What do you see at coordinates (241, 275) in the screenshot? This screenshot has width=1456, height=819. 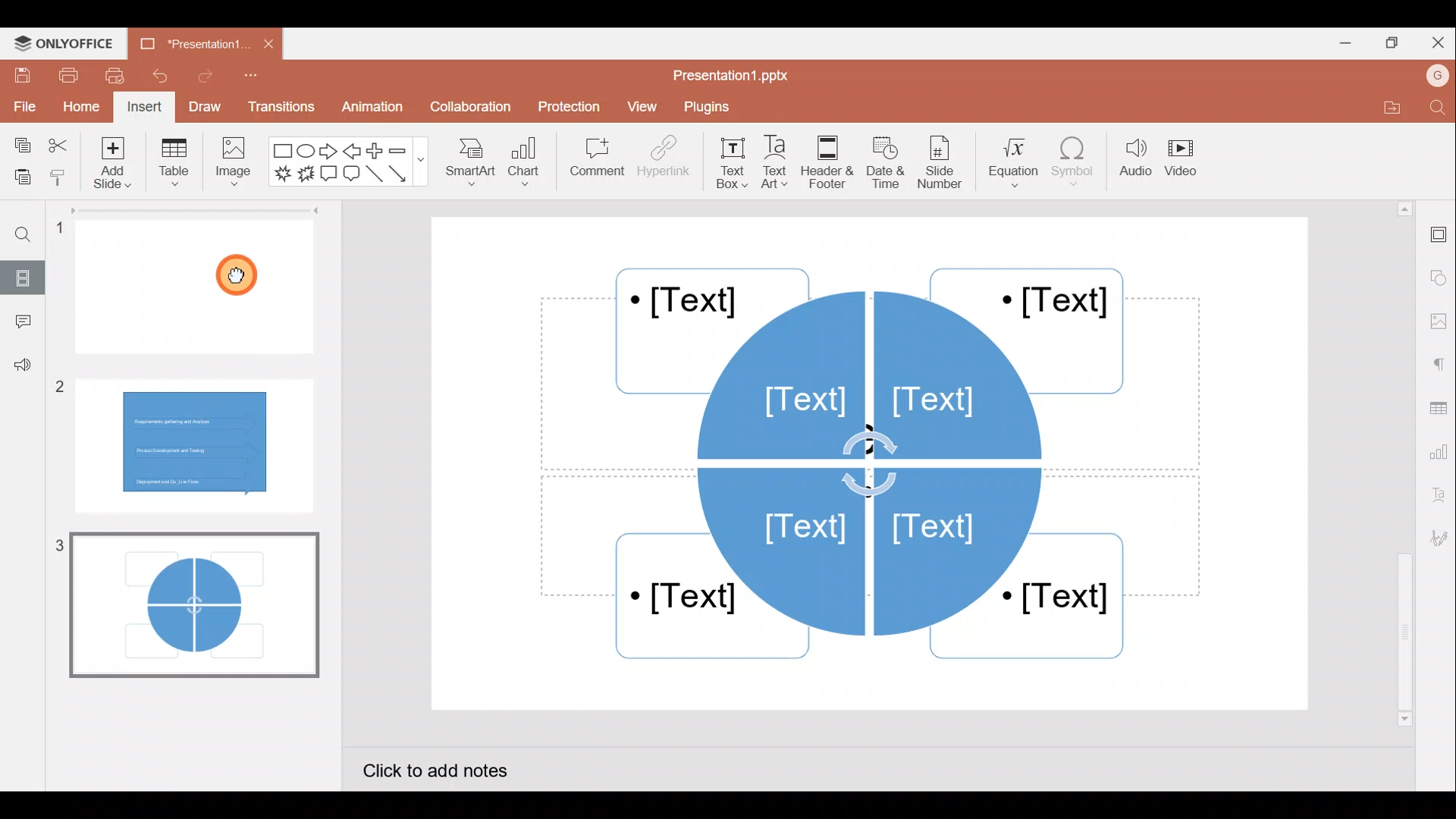 I see `Cursor on slide 1` at bounding box center [241, 275].